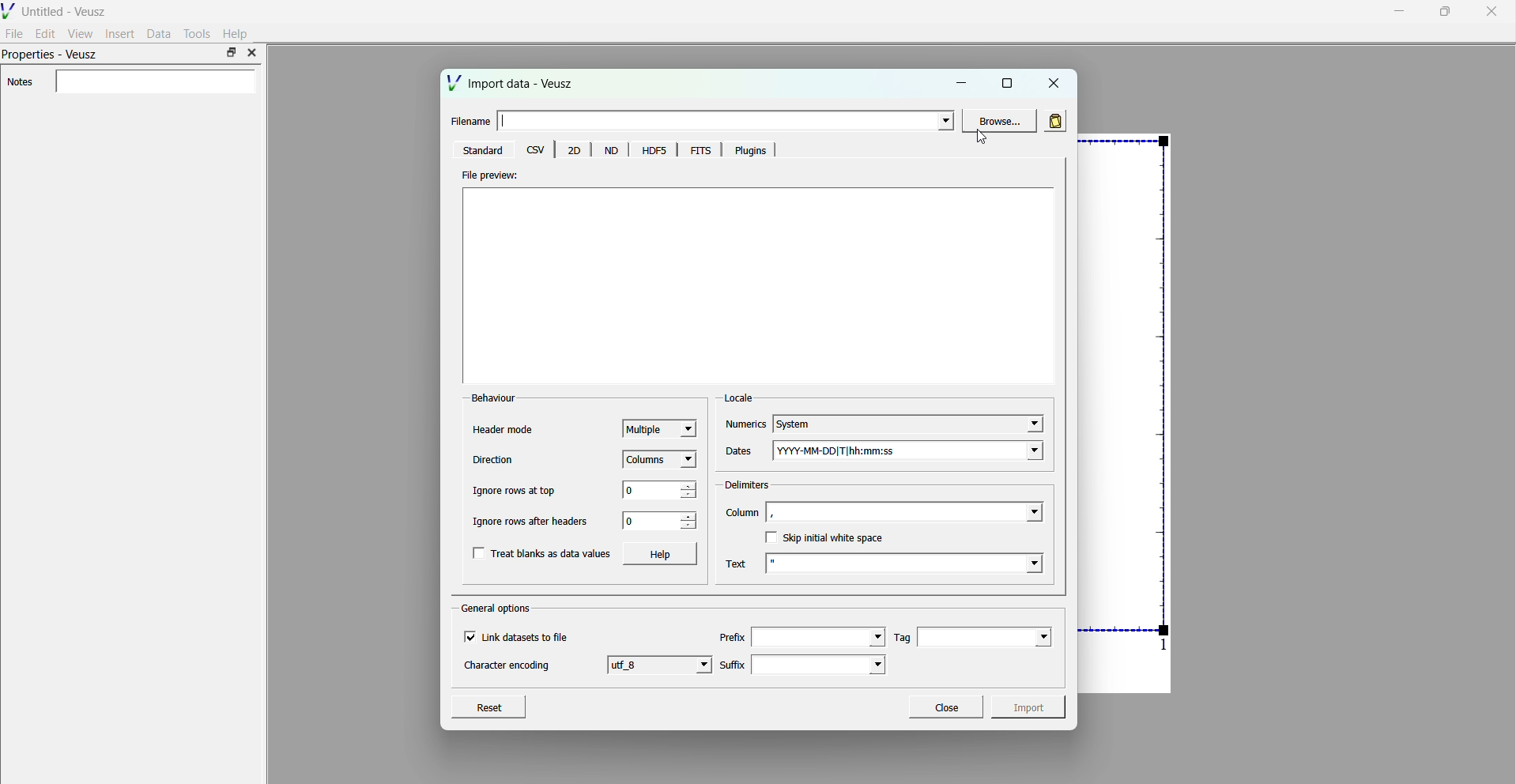 The width and height of the screenshot is (1516, 784). Describe the element at coordinates (575, 151) in the screenshot. I see `20` at that location.